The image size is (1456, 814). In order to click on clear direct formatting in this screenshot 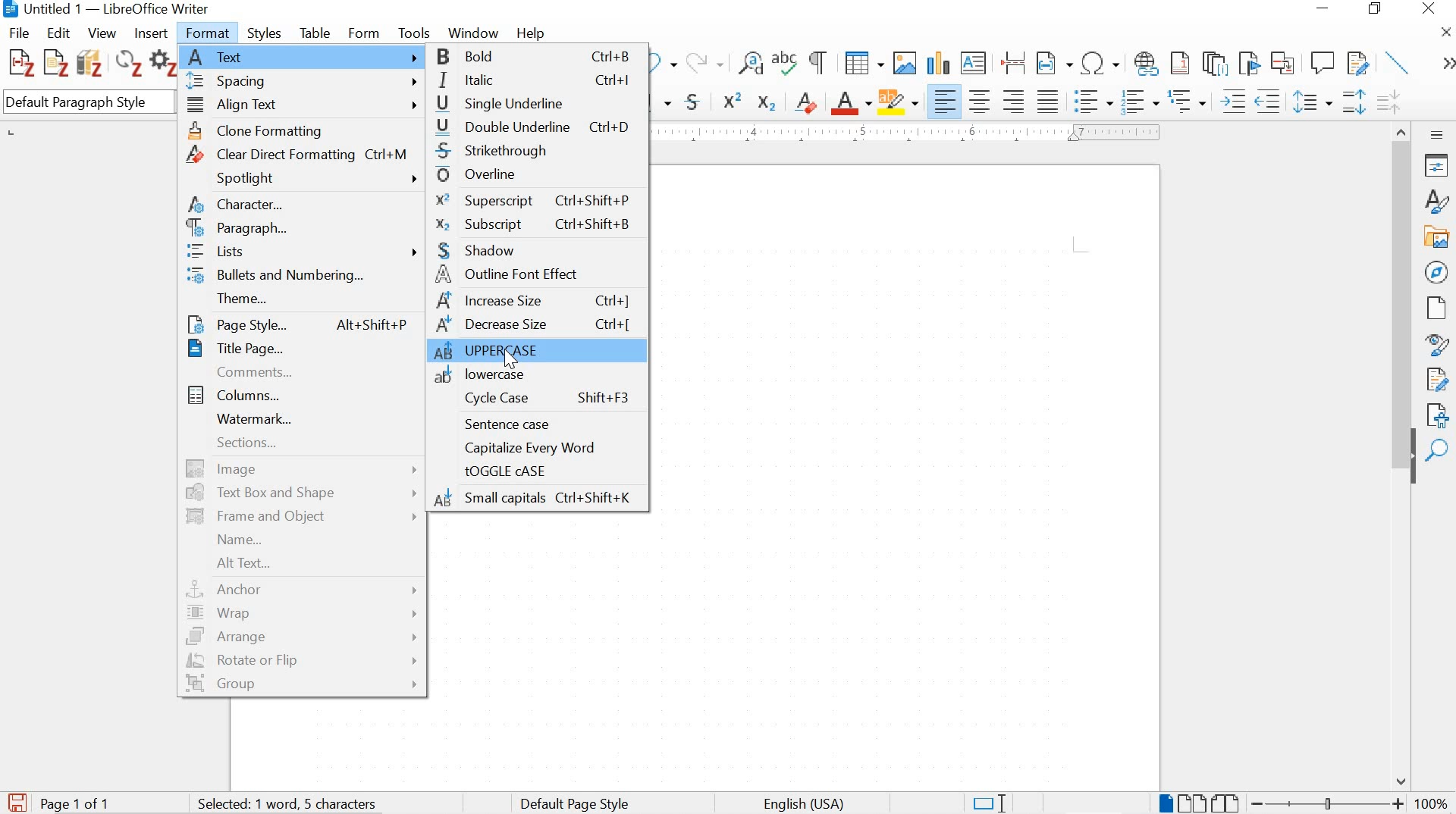, I will do `click(305, 153)`.